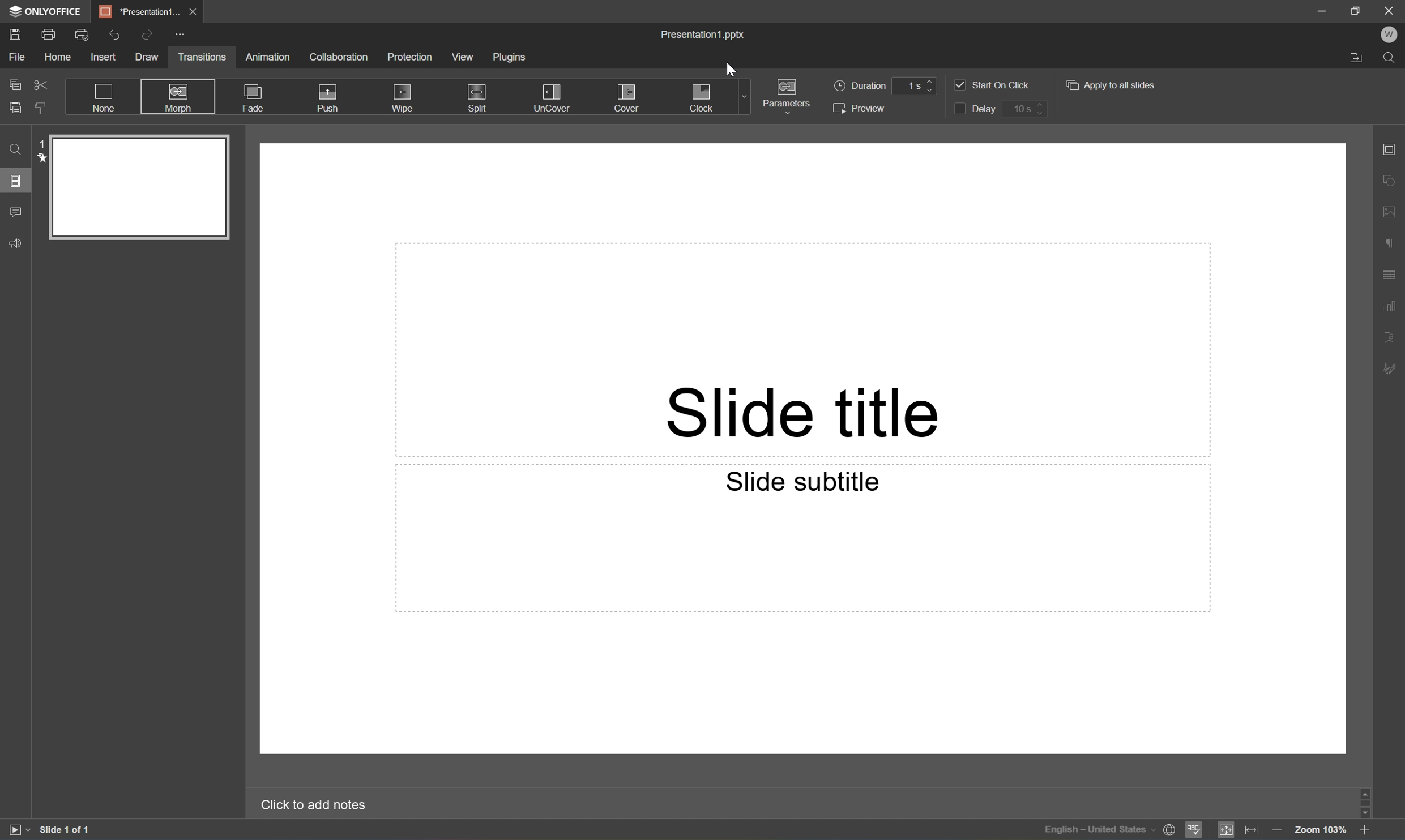 The height and width of the screenshot is (840, 1405). I want to click on star, so click(42, 159).